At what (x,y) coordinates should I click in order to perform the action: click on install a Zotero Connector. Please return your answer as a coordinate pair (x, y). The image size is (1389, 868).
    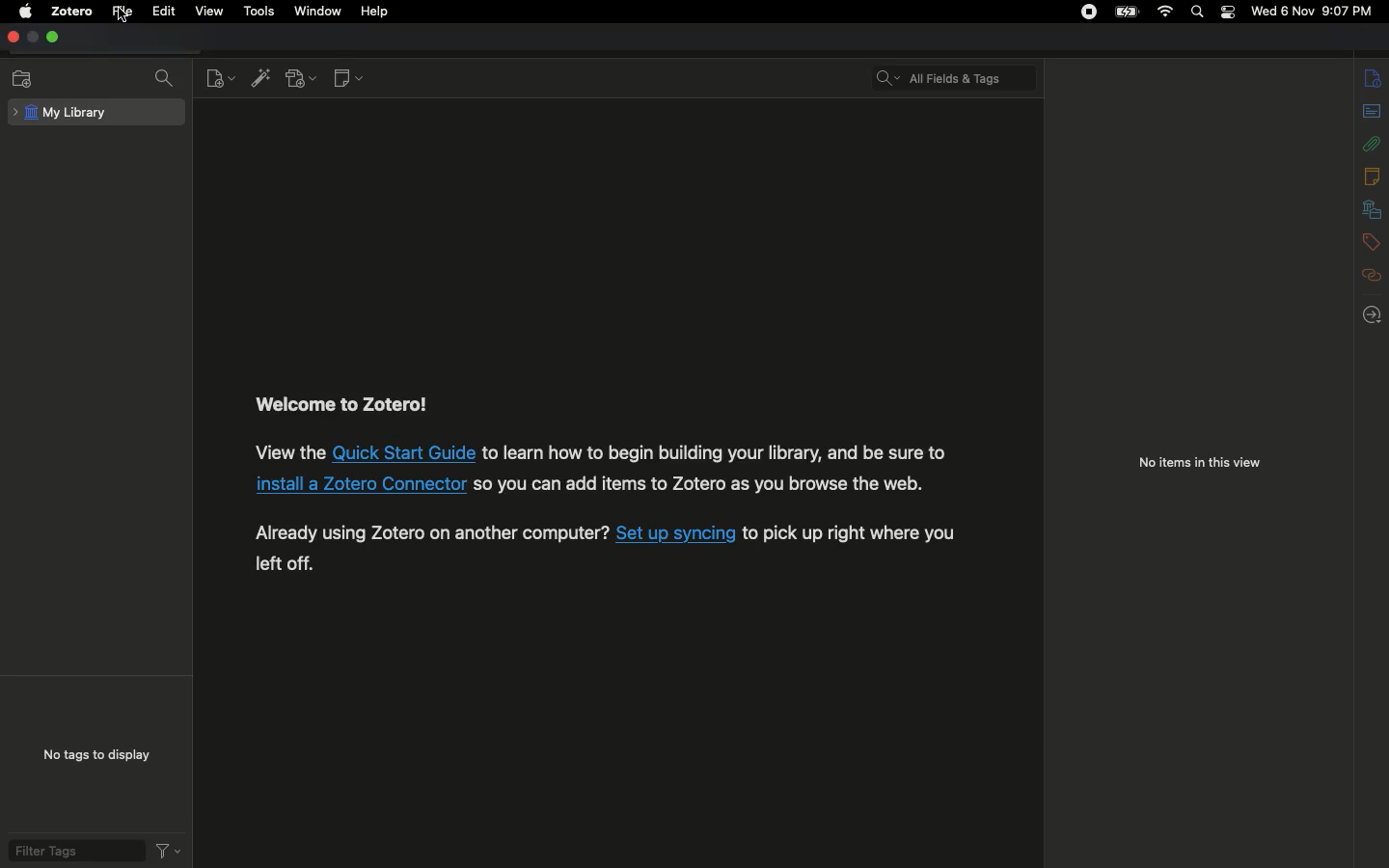
    Looking at the image, I should click on (360, 484).